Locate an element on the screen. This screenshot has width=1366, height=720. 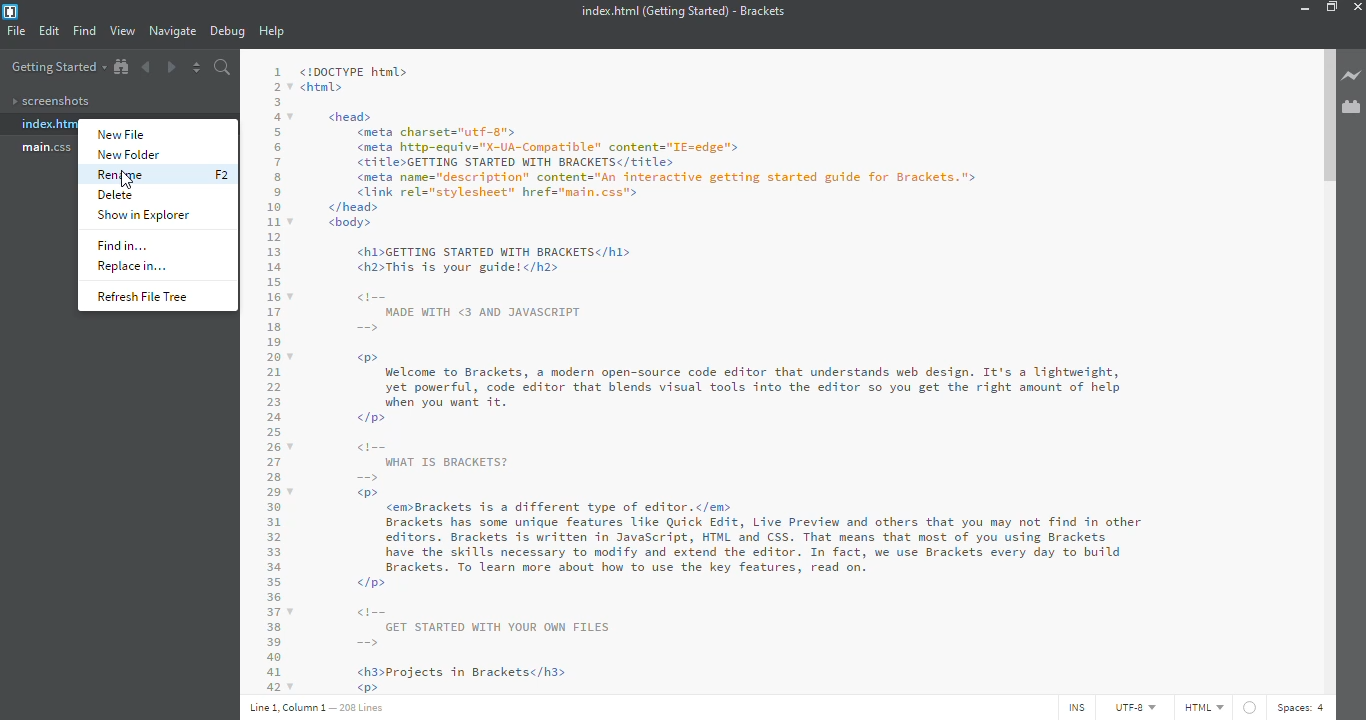
refresh file tree is located at coordinates (146, 296).